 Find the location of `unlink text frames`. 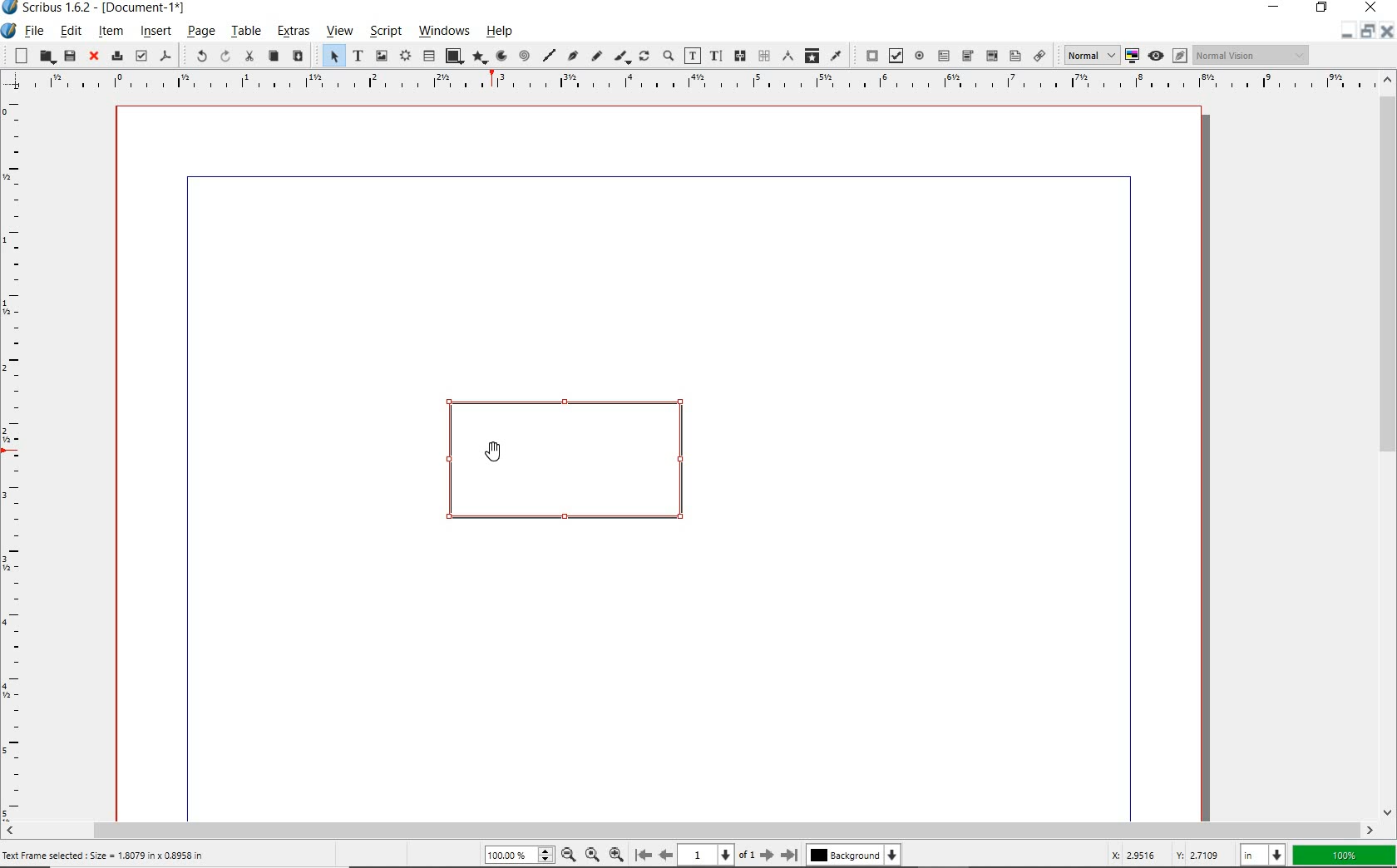

unlink text frames is located at coordinates (764, 57).